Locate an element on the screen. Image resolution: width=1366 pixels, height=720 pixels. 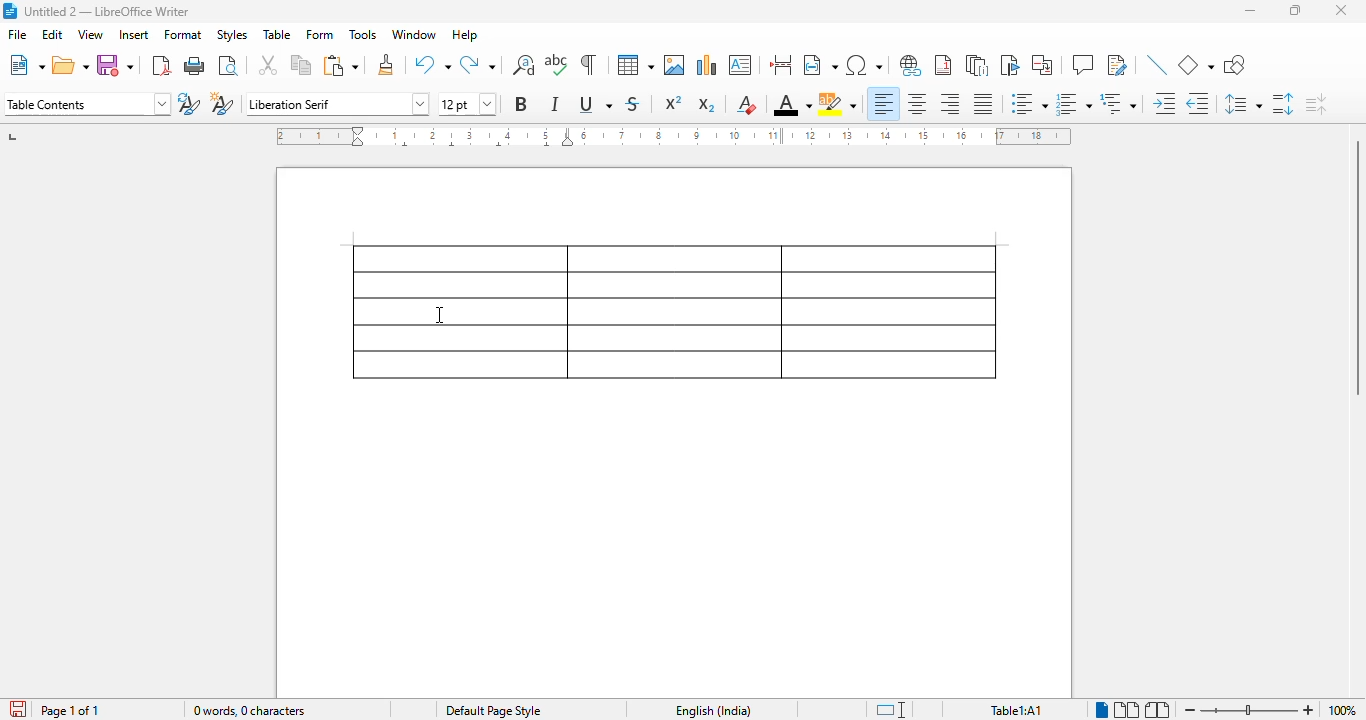
insert hyperlink is located at coordinates (911, 64).